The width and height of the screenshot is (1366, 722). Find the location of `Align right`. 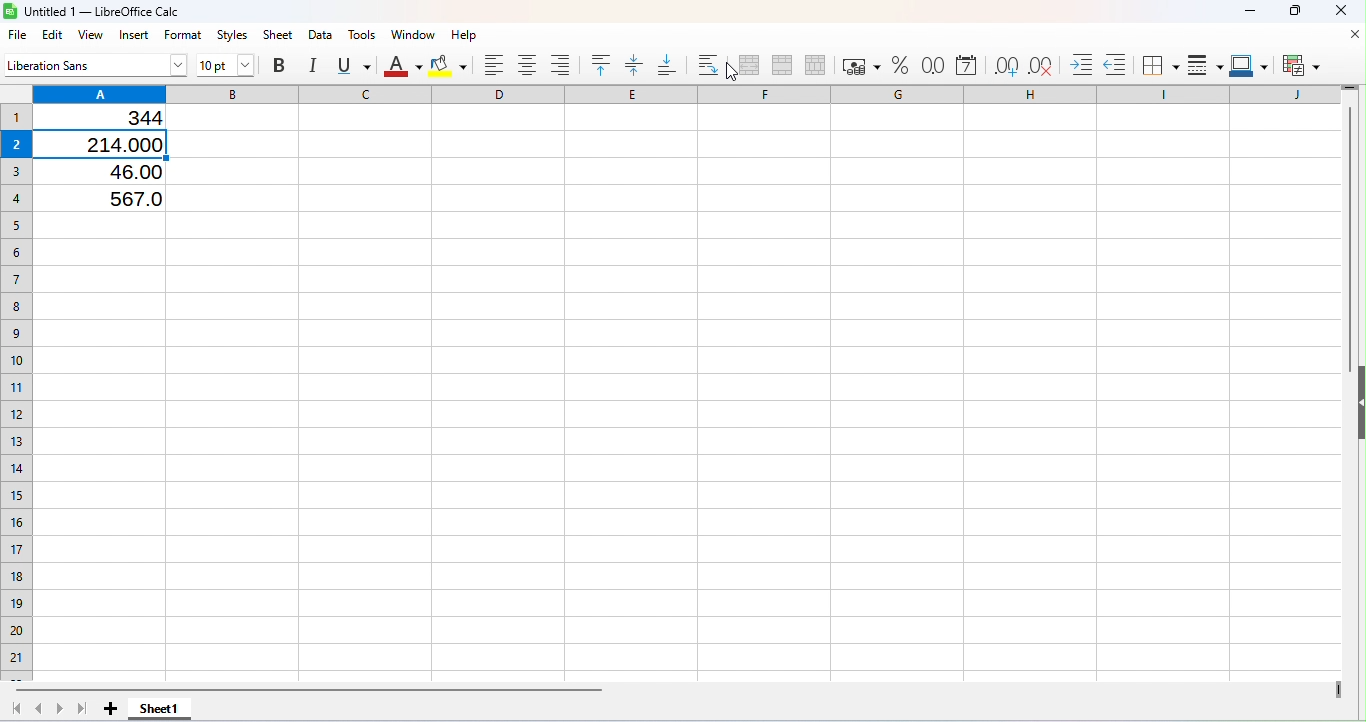

Align right is located at coordinates (563, 66).